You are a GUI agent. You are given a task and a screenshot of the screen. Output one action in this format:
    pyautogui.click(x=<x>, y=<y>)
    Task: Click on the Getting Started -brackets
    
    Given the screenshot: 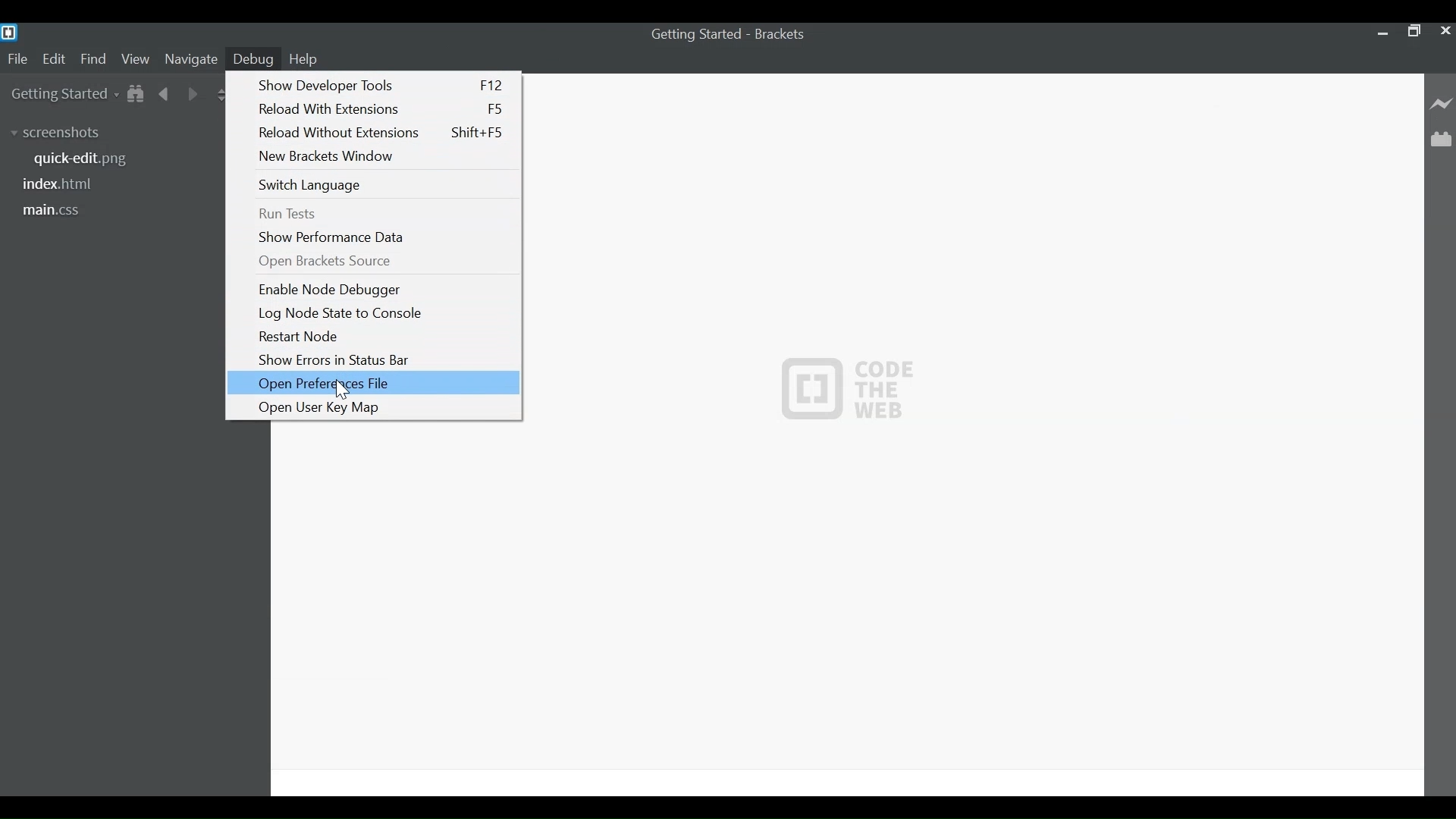 What is the action you would take?
    pyautogui.click(x=734, y=34)
    